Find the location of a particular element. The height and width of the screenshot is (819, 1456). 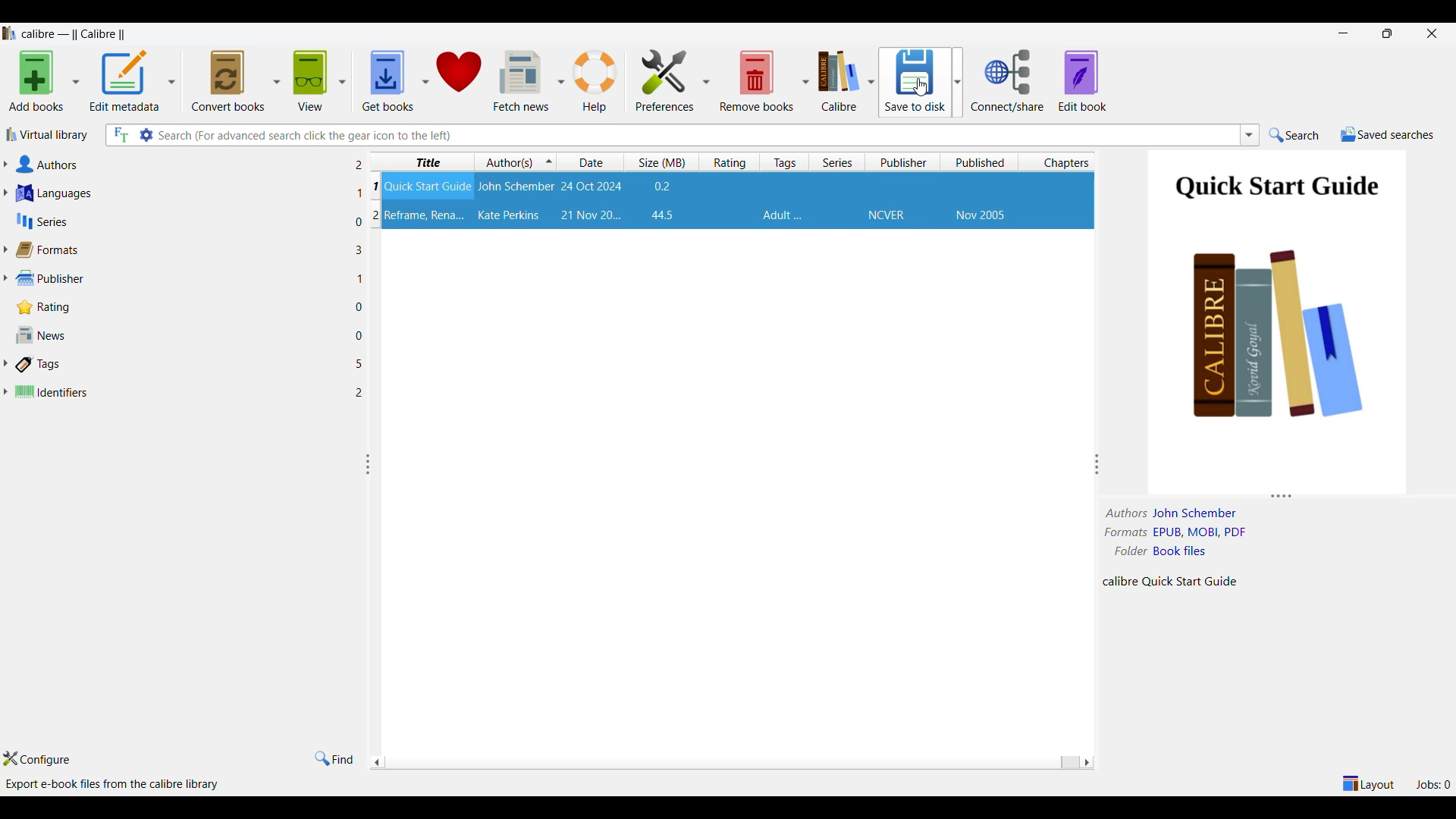

Close interface is located at coordinates (1432, 34).